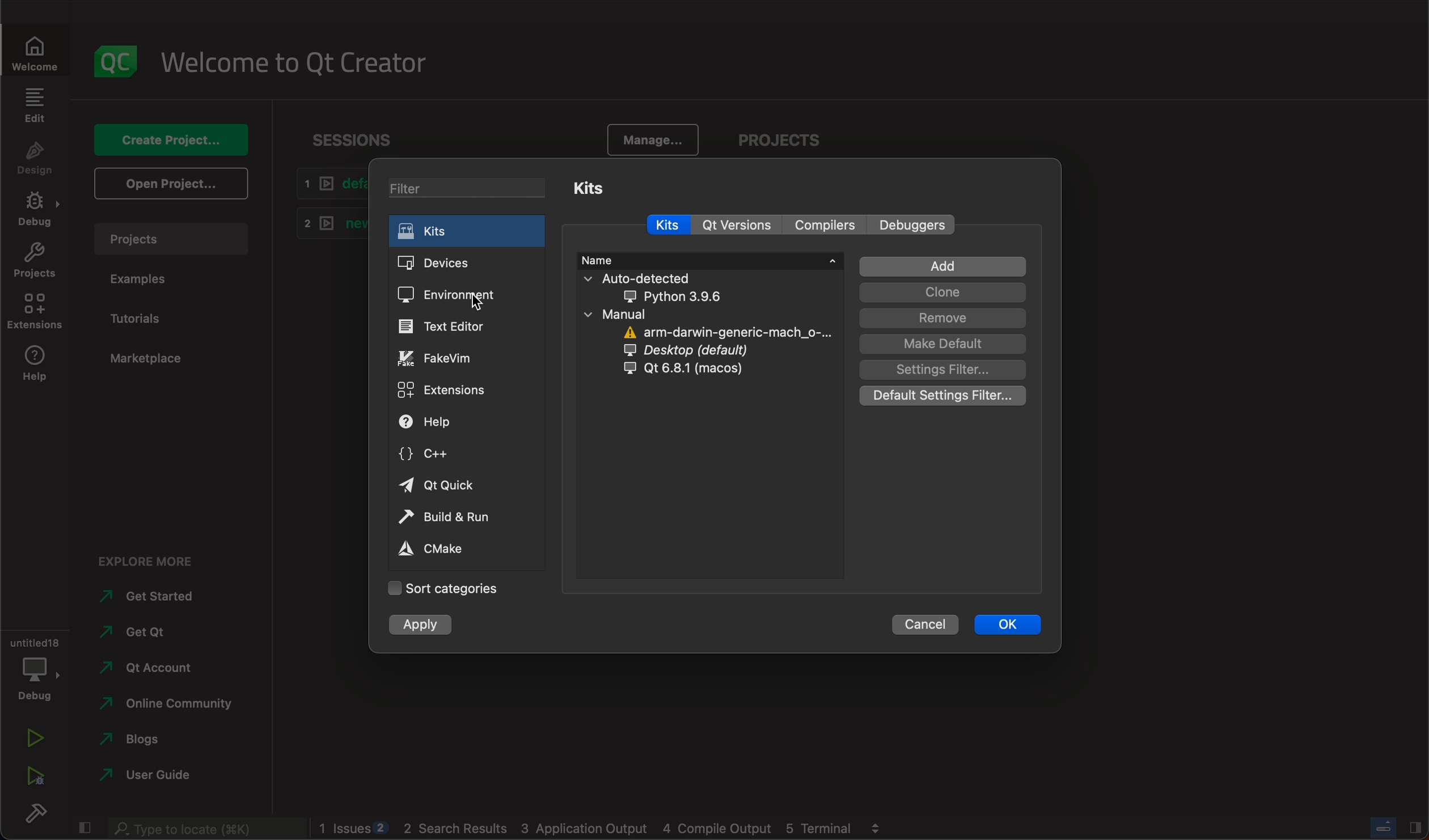 This screenshot has width=1429, height=840. Describe the element at coordinates (446, 455) in the screenshot. I see `c++` at that location.